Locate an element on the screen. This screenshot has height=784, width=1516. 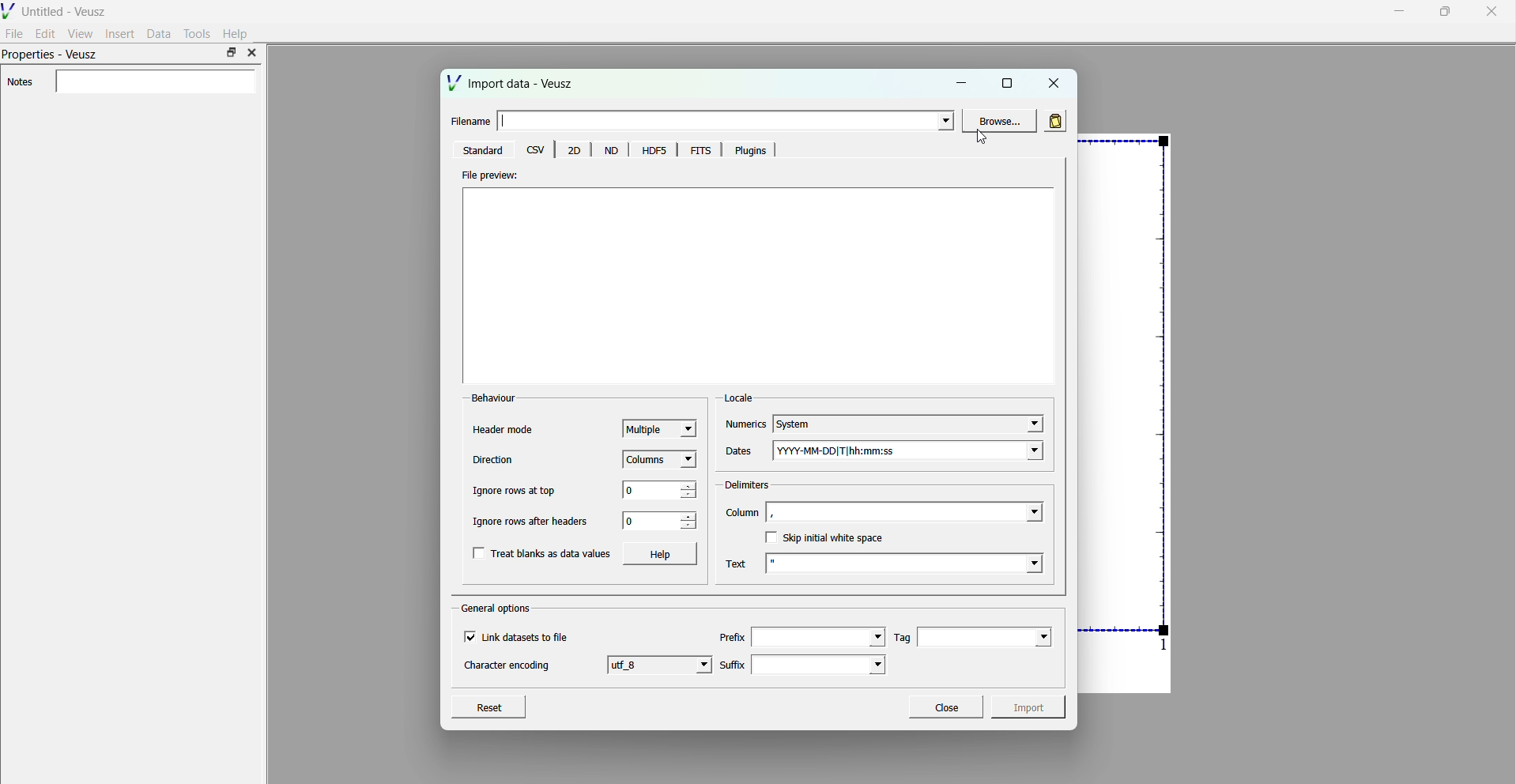
Plugins is located at coordinates (752, 151).